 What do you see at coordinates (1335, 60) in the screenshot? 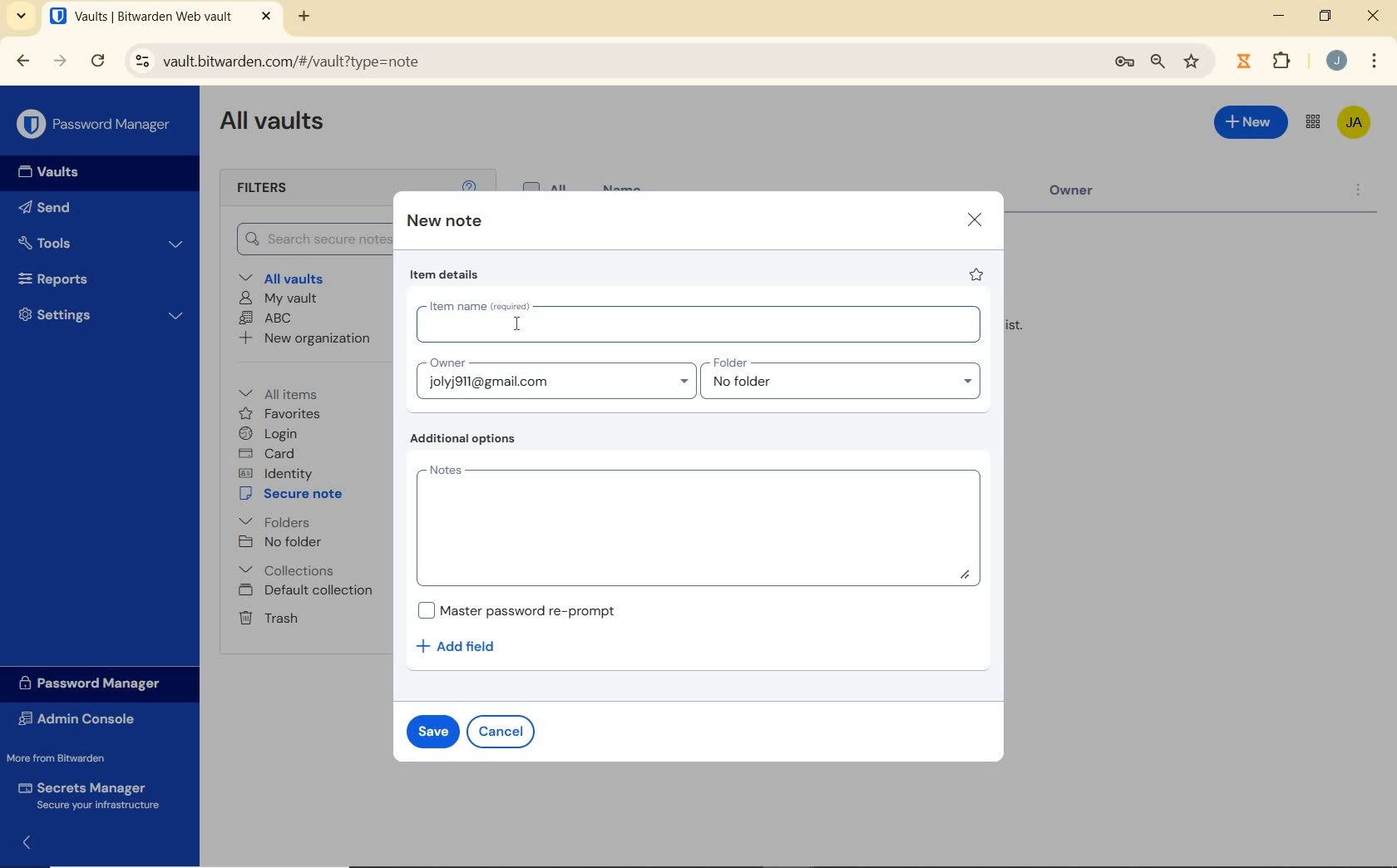
I see `Account` at bounding box center [1335, 60].